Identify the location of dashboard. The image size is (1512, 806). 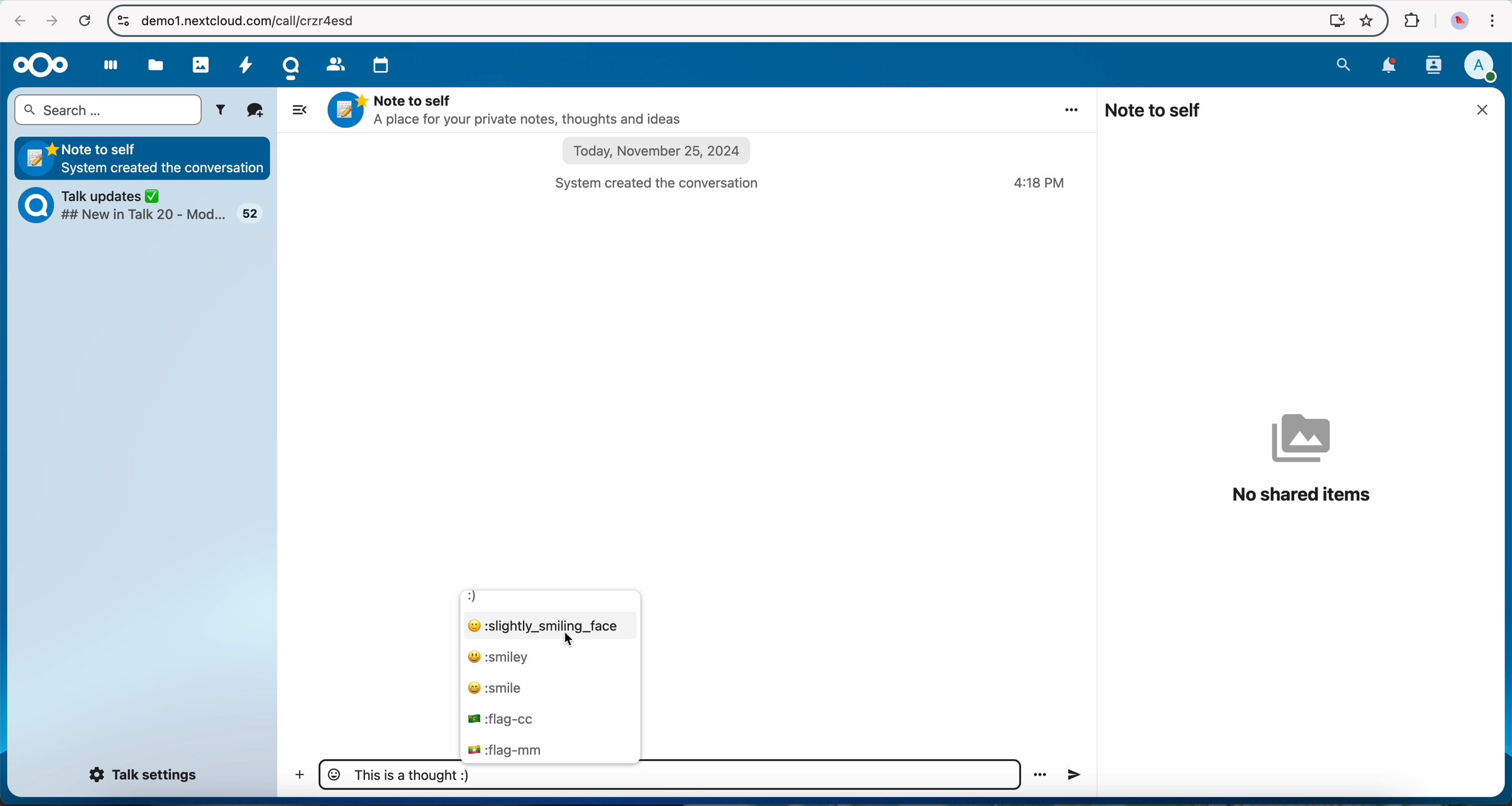
(105, 69).